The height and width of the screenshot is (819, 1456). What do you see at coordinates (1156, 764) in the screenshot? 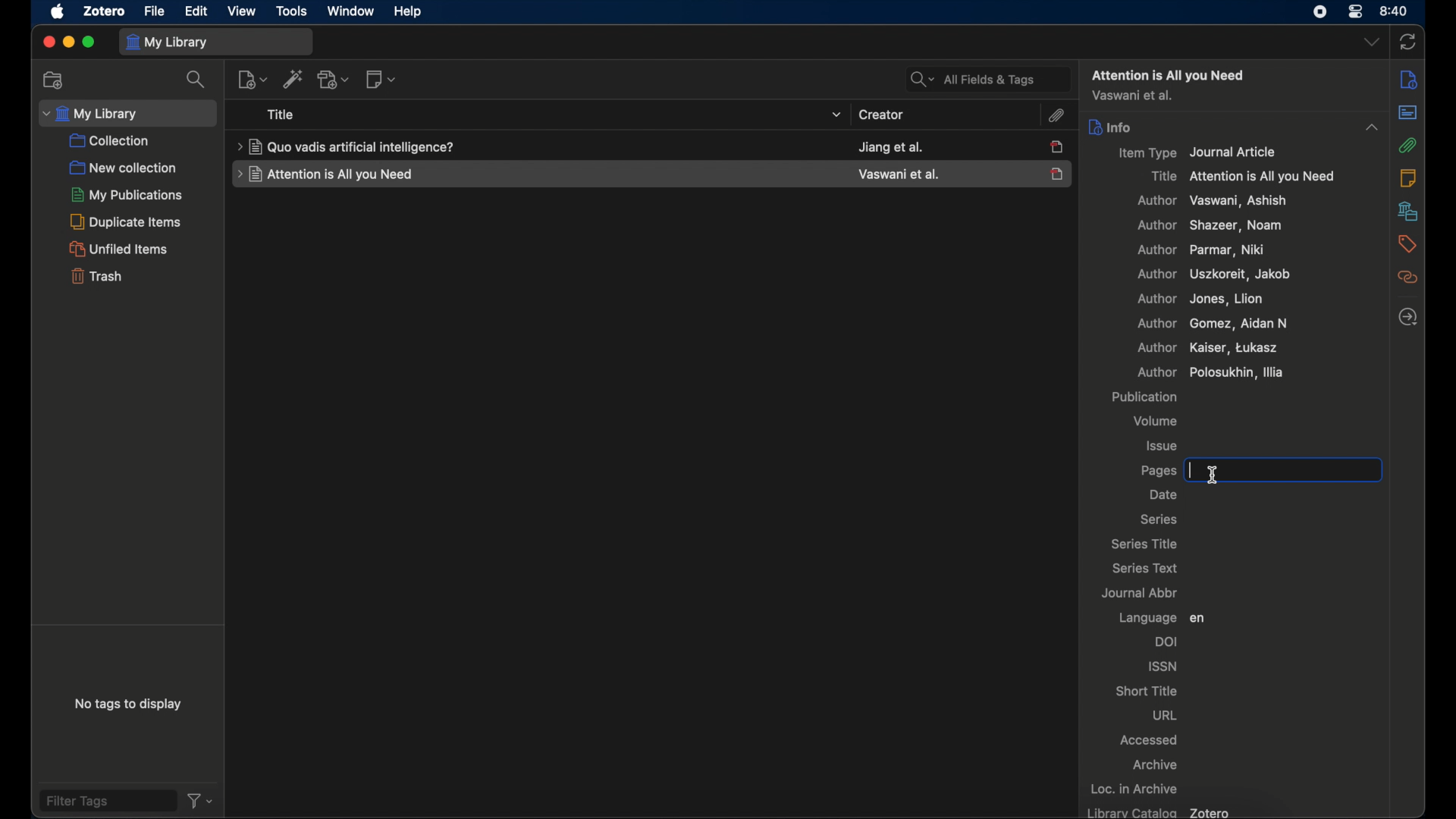
I see `archive` at bounding box center [1156, 764].